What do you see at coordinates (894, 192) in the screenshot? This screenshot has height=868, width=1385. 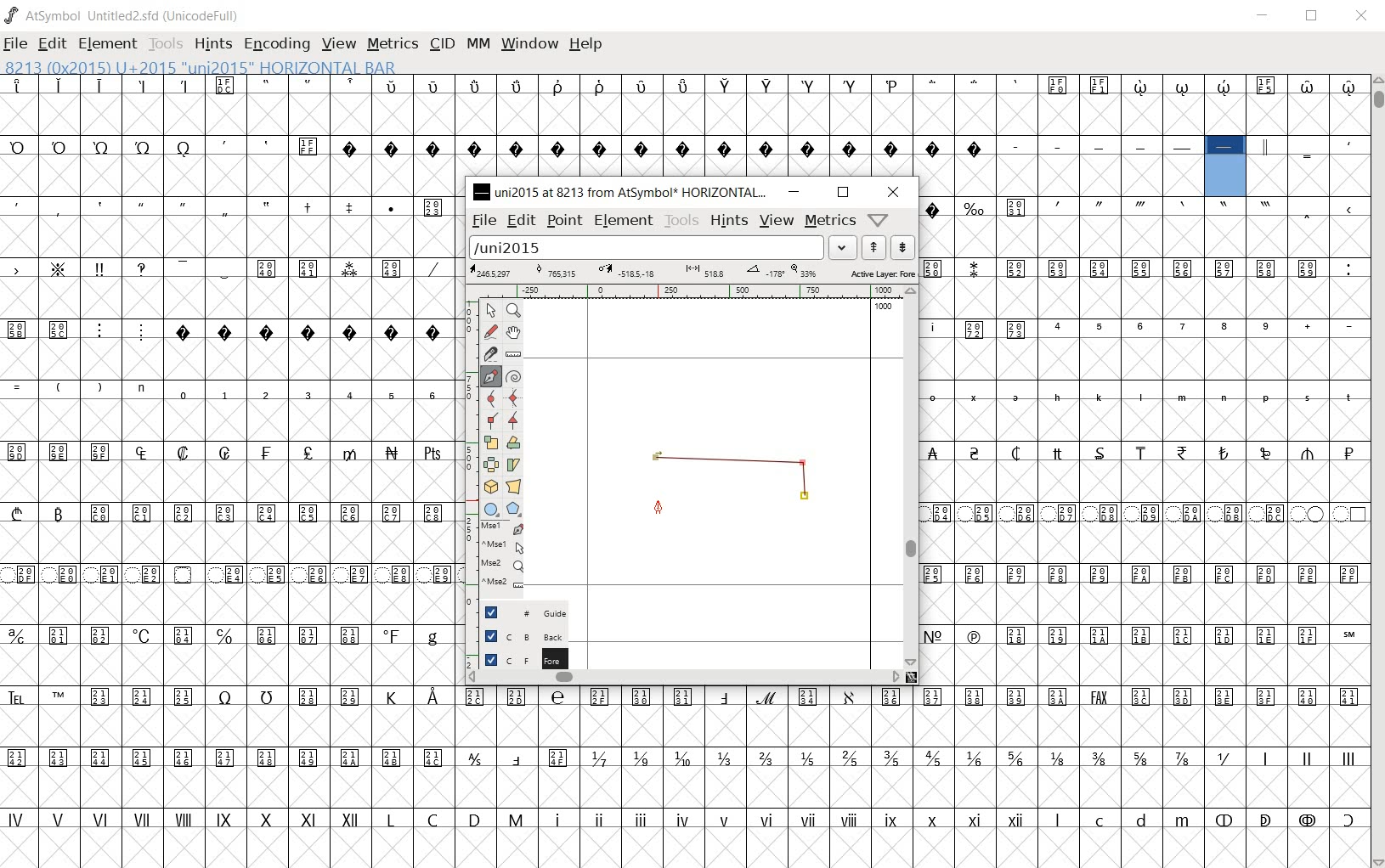 I see `close` at bounding box center [894, 192].